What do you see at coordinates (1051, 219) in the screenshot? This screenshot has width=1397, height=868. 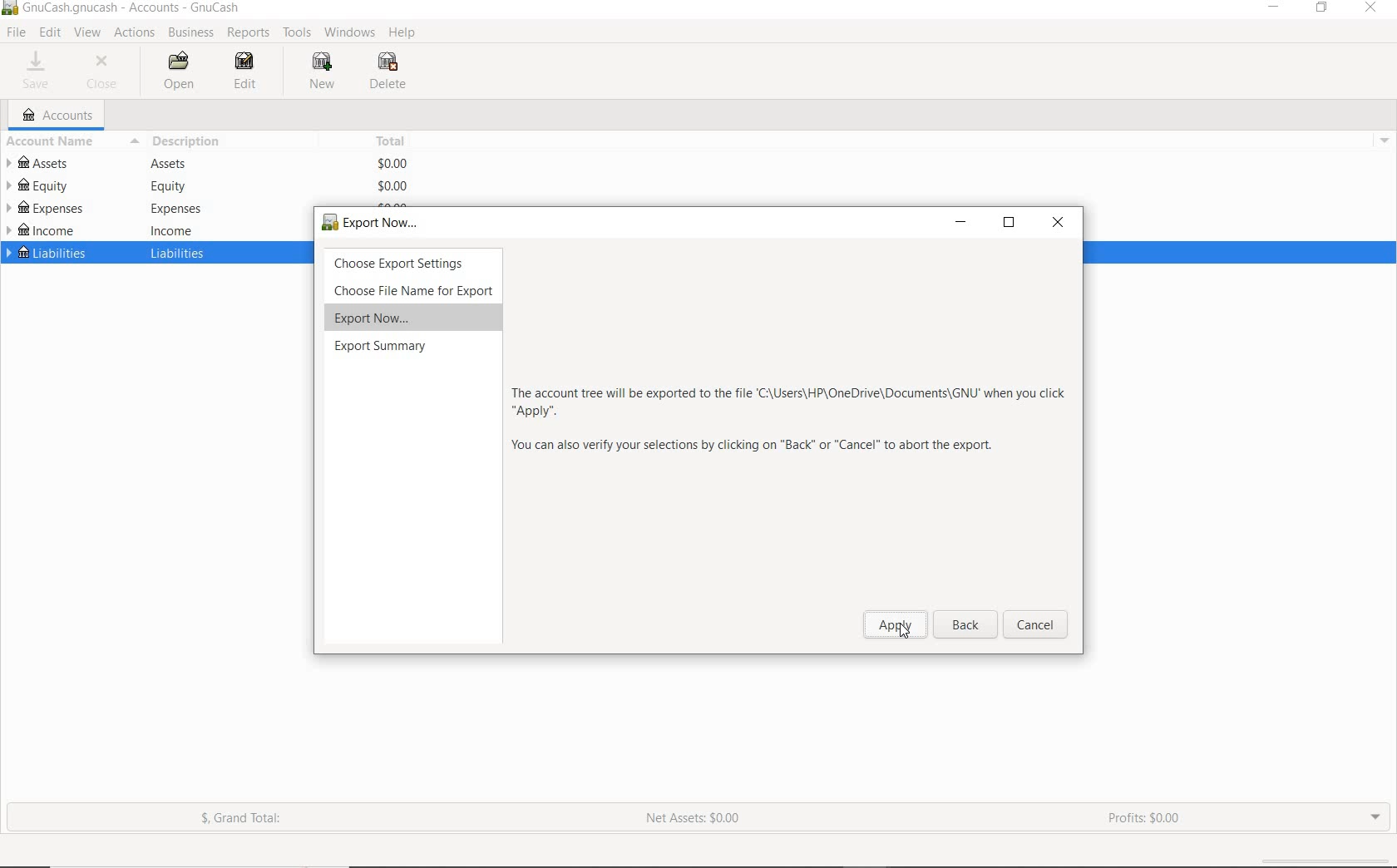 I see `close` at bounding box center [1051, 219].